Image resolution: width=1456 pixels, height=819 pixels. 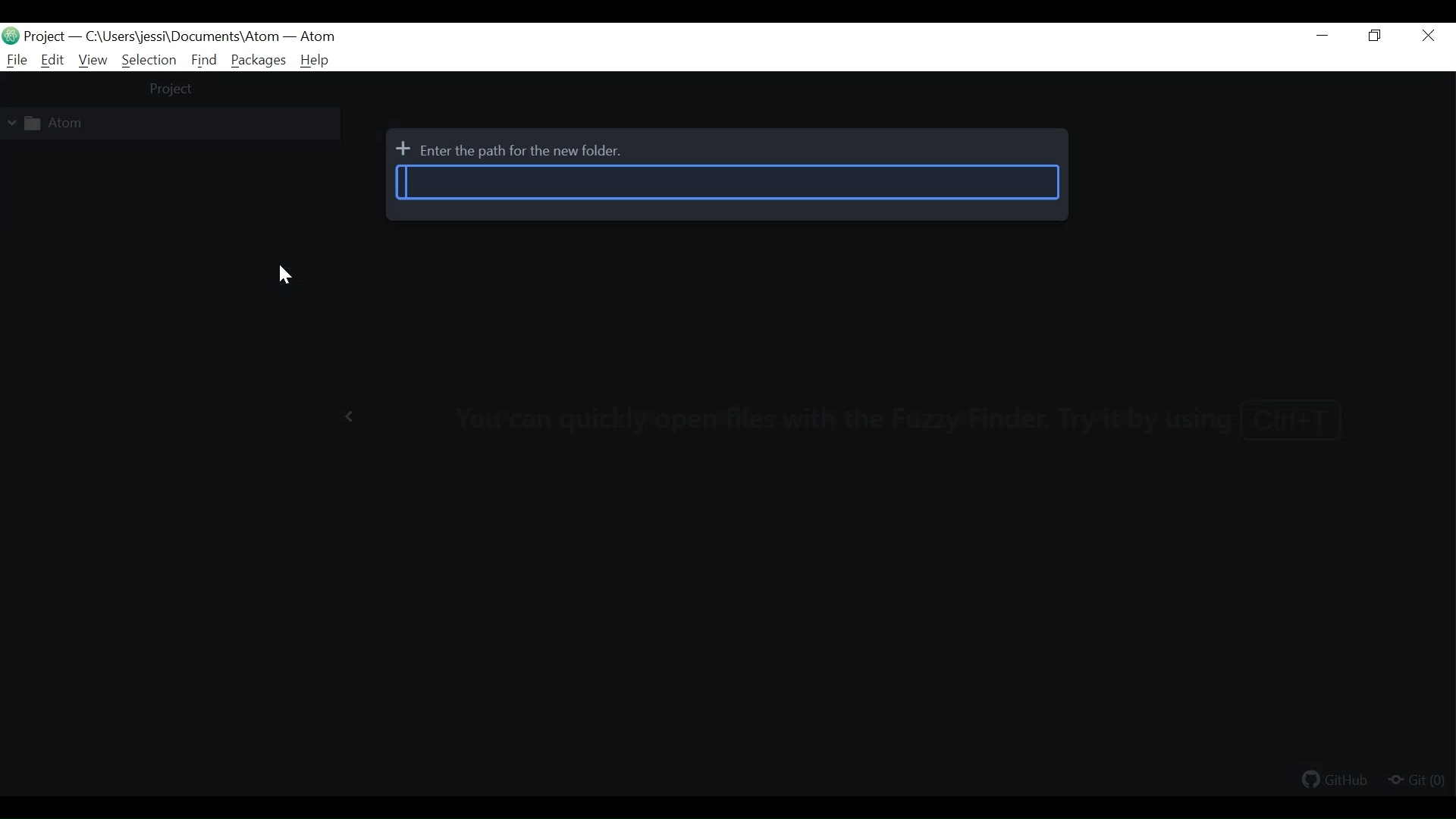 What do you see at coordinates (259, 60) in the screenshot?
I see `Packages` at bounding box center [259, 60].